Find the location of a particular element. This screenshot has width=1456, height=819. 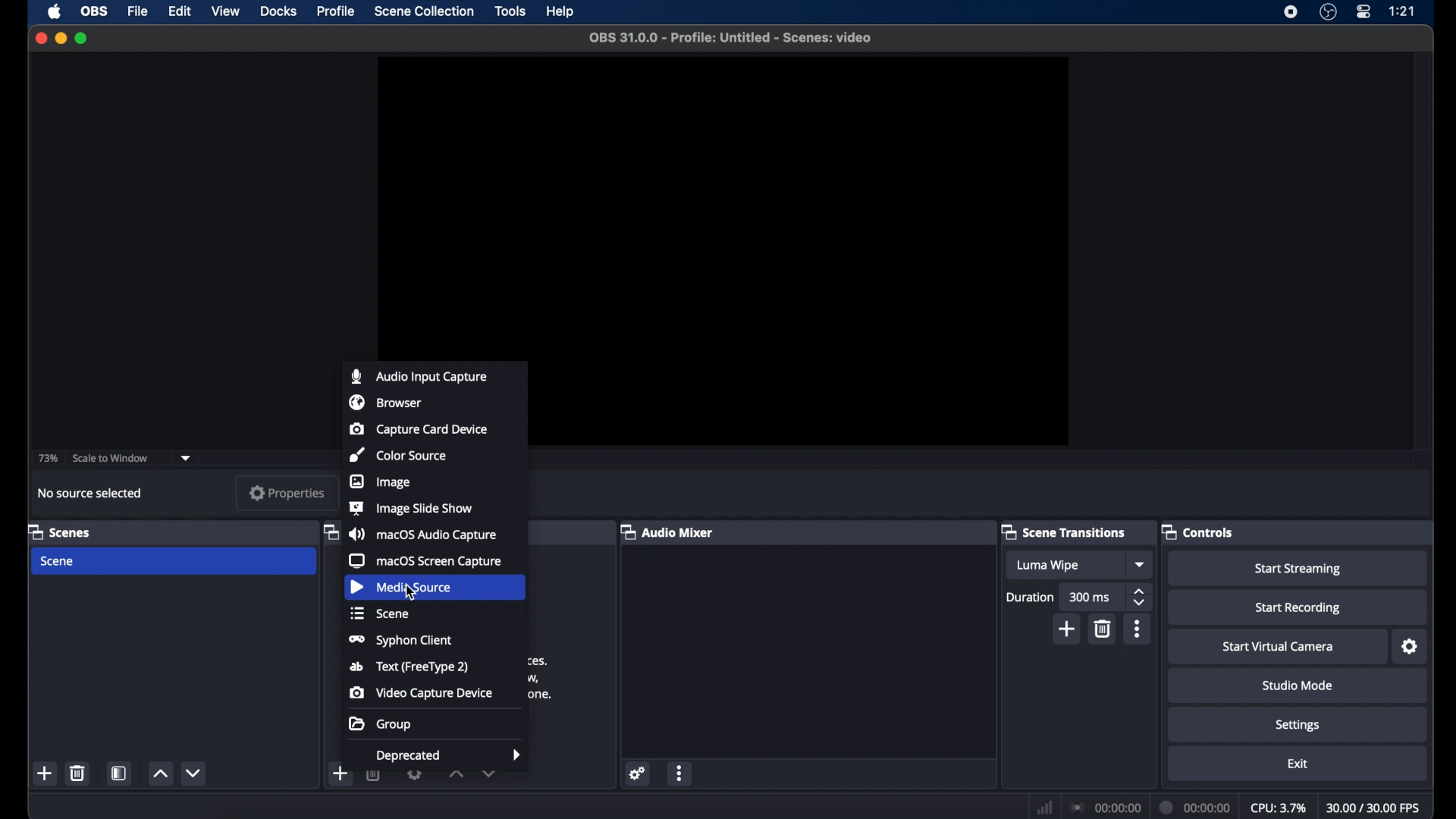

help is located at coordinates (561, 13).